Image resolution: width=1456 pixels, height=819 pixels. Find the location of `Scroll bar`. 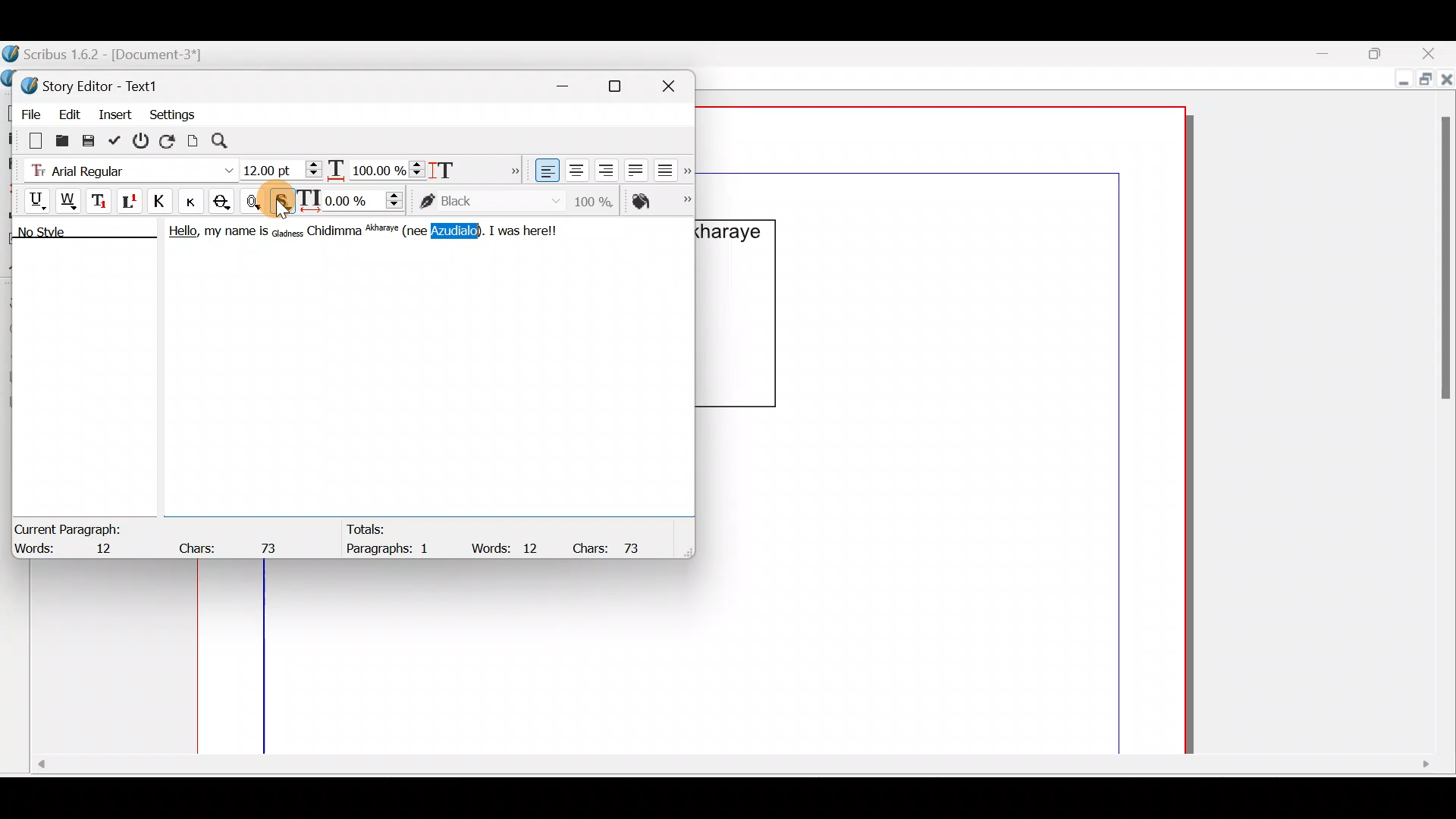

Scroll bar is located at coordinates (1440, 414).